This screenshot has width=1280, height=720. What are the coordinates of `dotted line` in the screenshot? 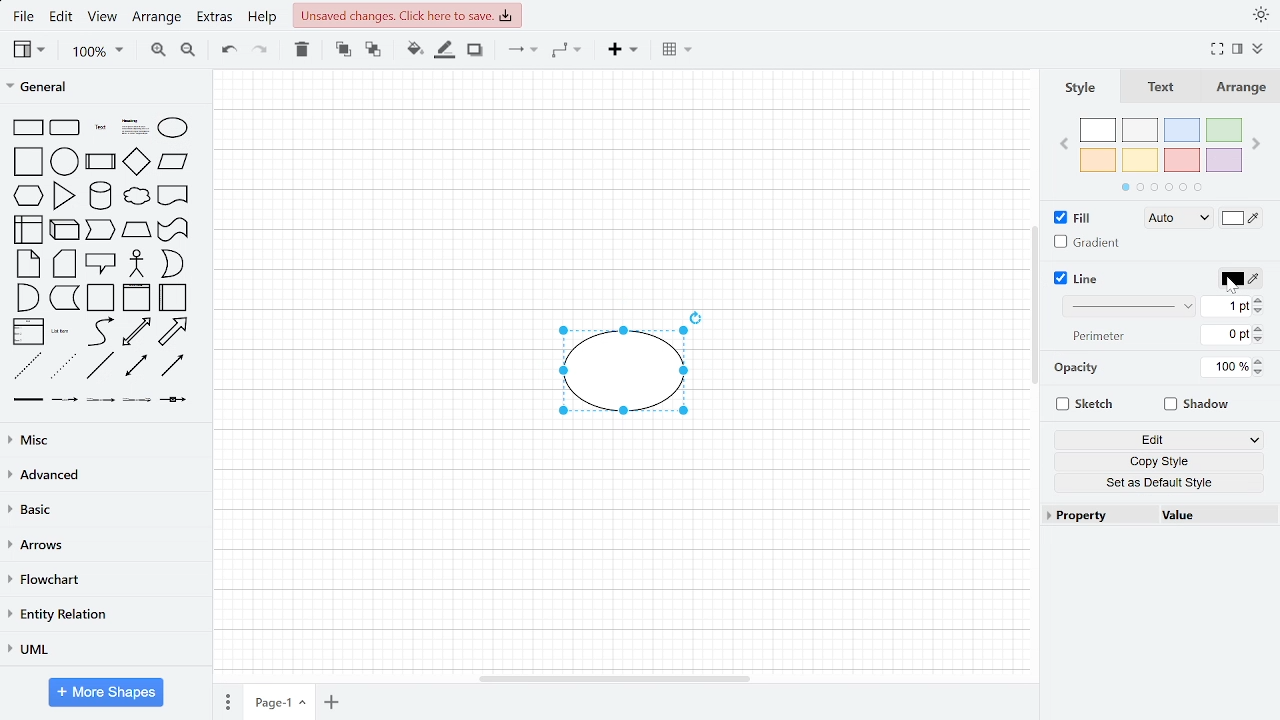 It's located at (63, 367).